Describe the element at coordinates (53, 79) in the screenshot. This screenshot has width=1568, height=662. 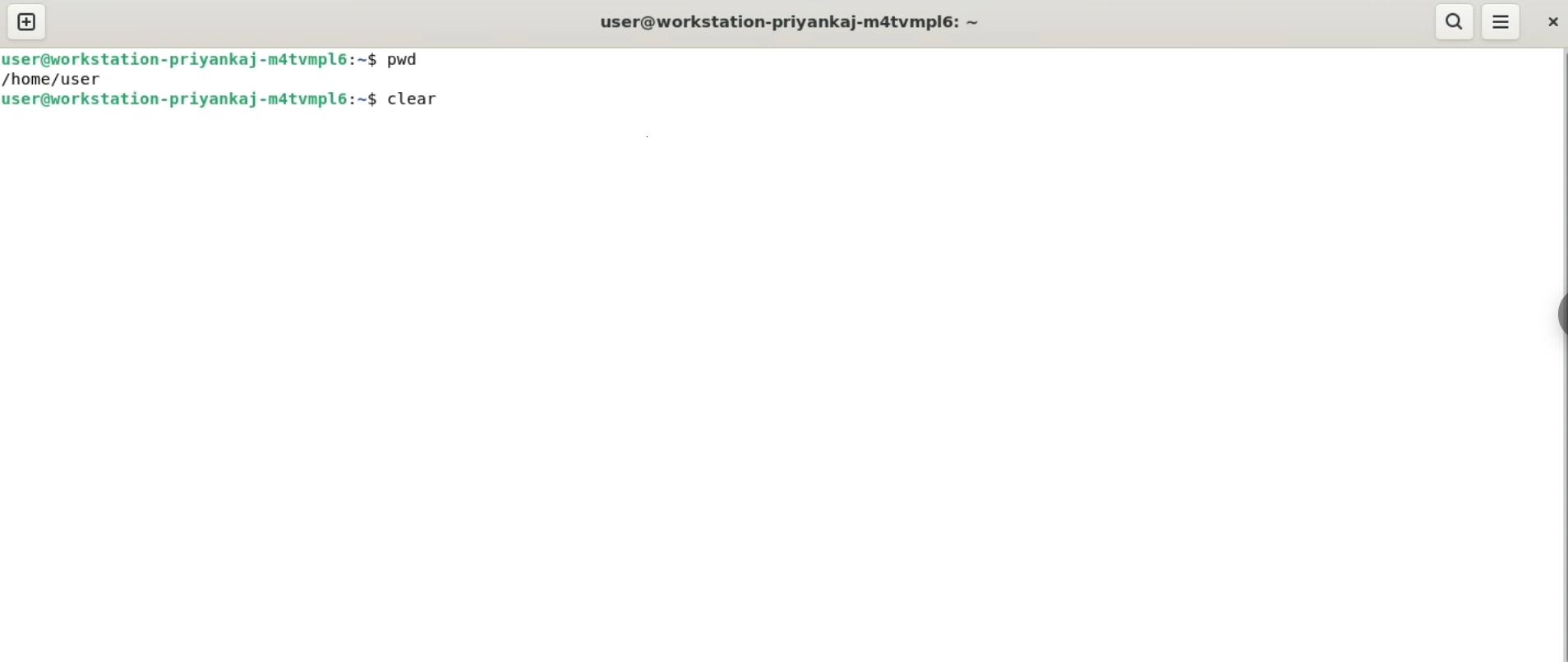
I see `/home/user` at that location.